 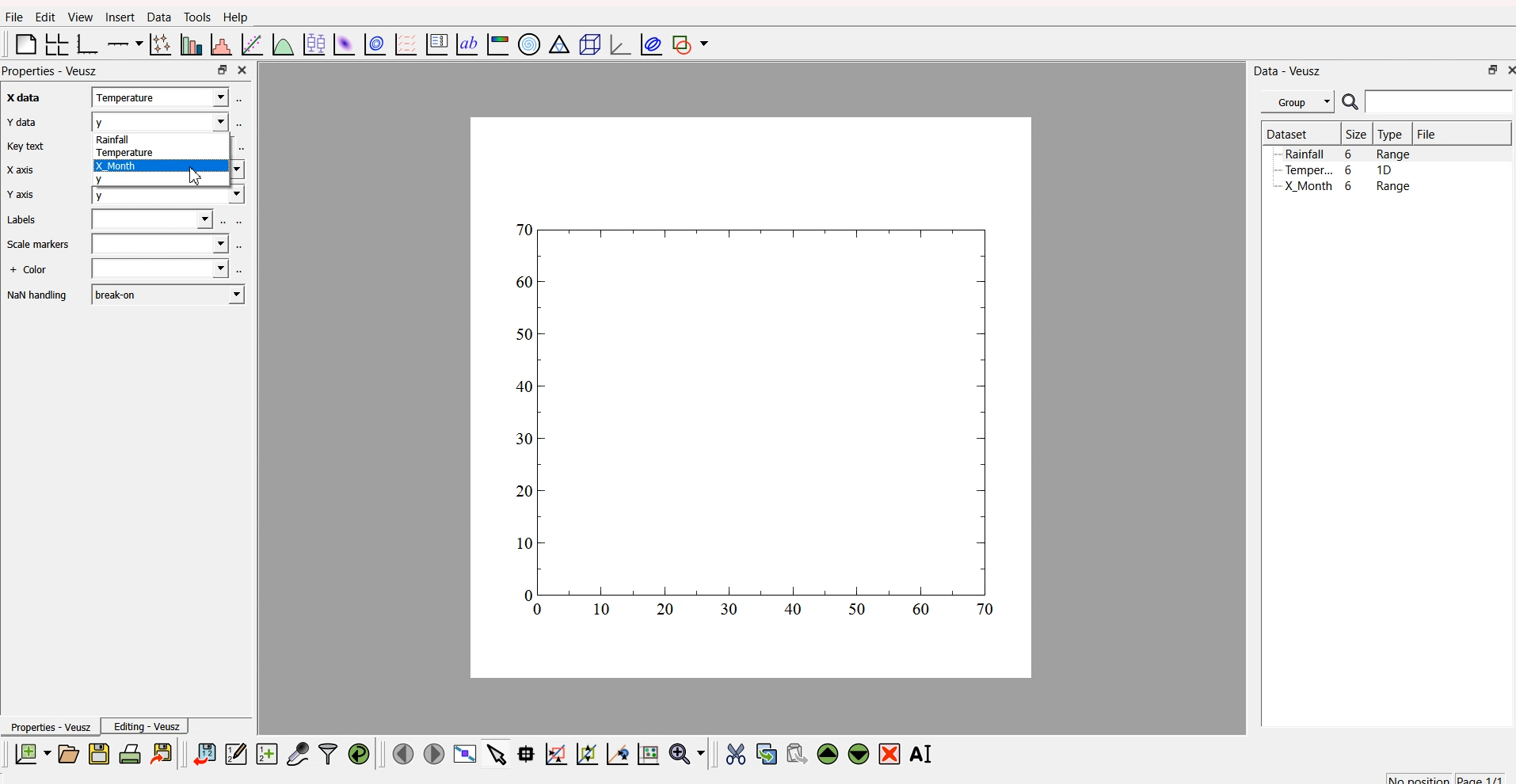 I want to click on move up the widget, so click(x=827, y=754).